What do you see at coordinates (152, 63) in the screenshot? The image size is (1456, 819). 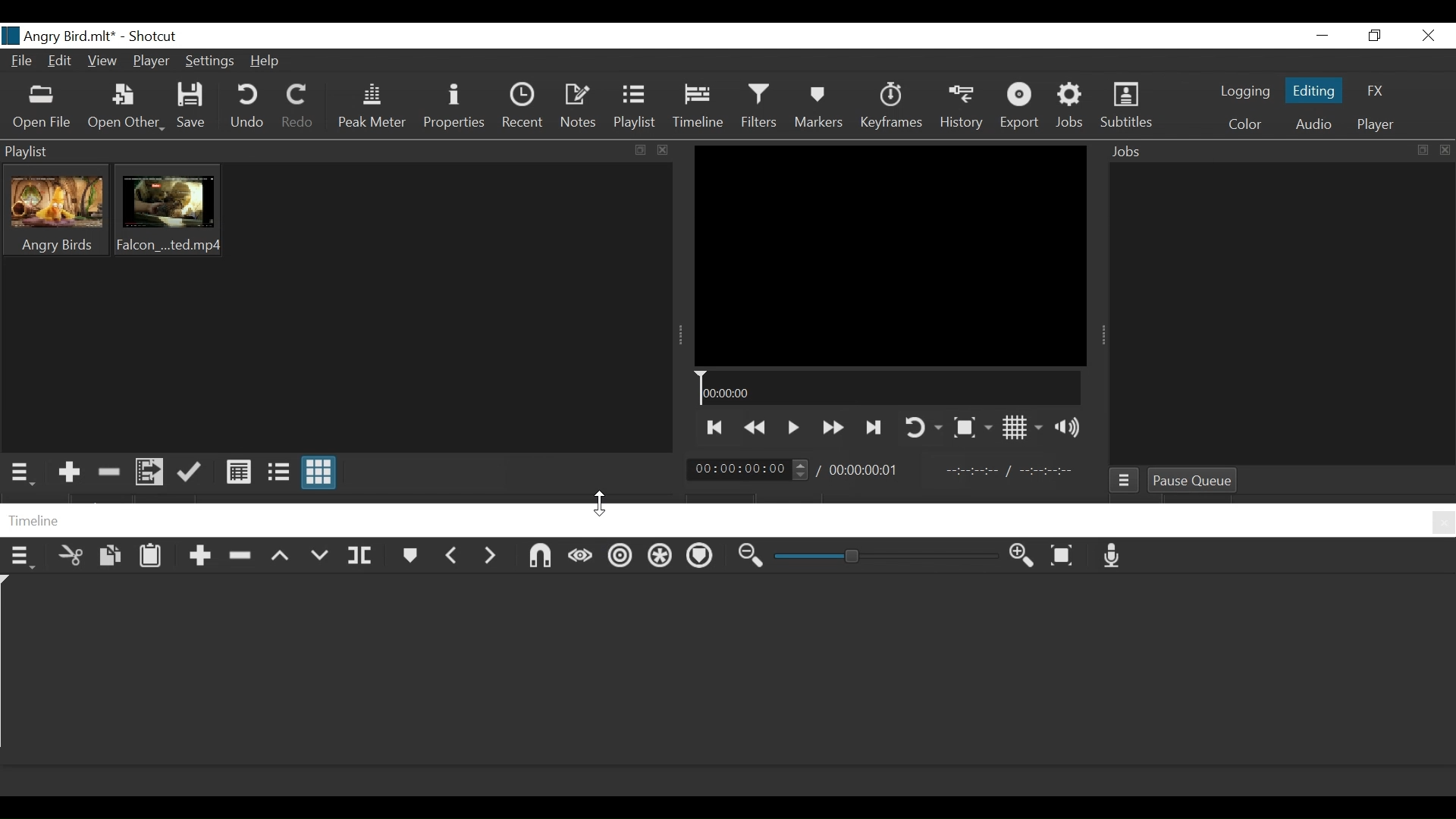 I see `Player` at bounding box center [152, 63].